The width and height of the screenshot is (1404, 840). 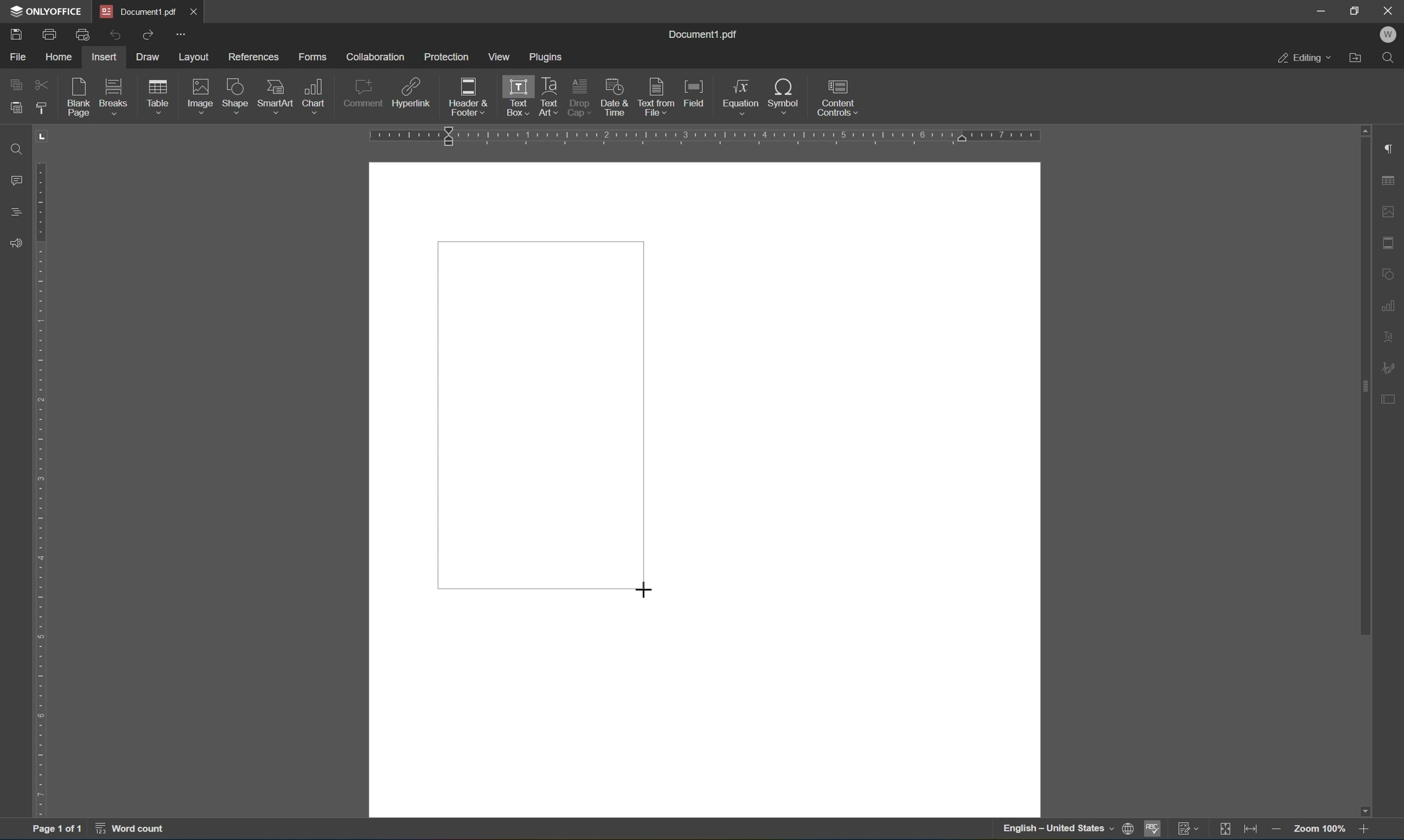 I want to click on Header and footer settings, so click(x=1391, y=242).